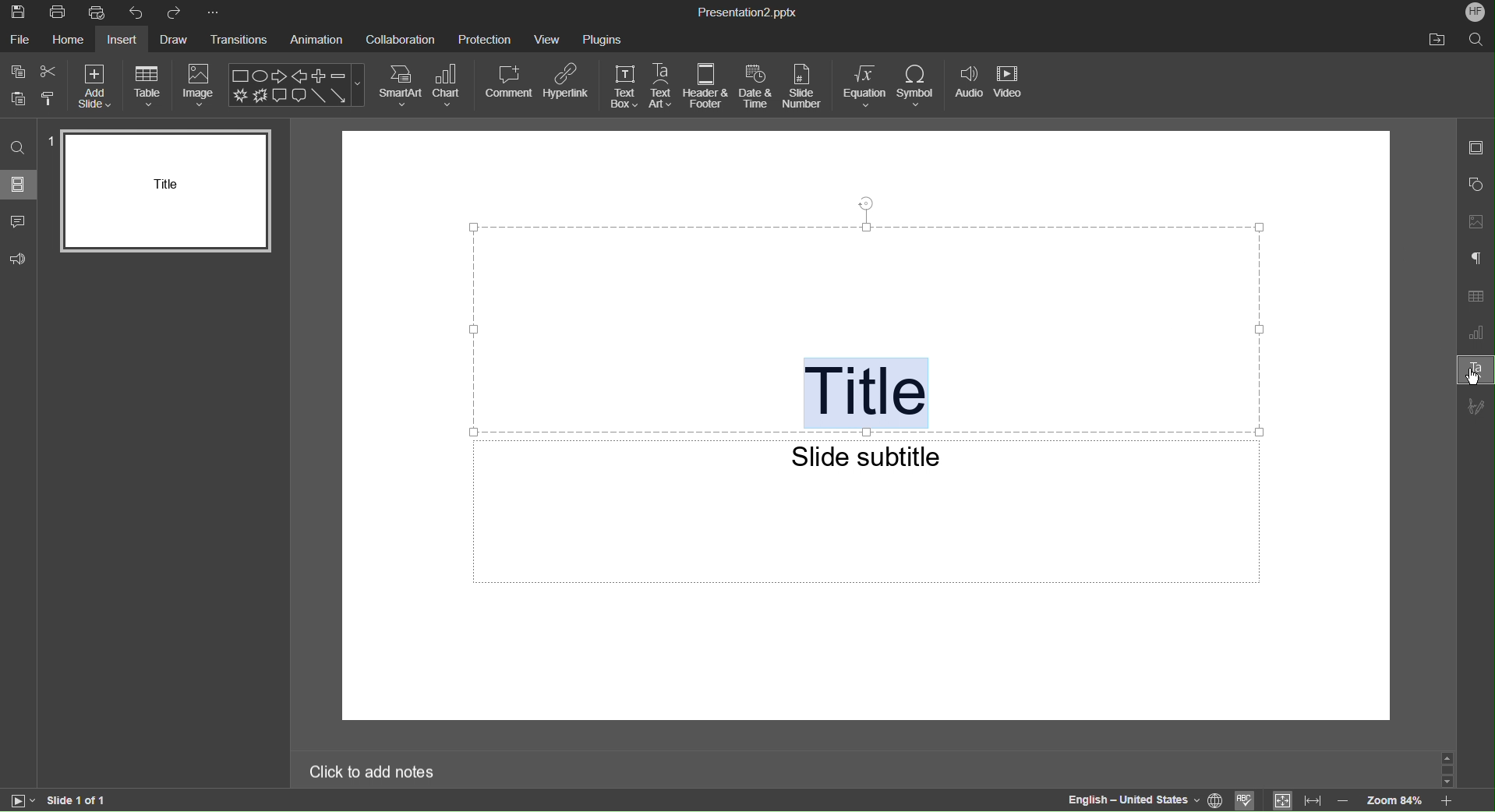 This screenshot has height=812, width=1495. What do you see at coordinates (870, 393) in the screenshot?
I see `Title Selecte` at bounding box center [870, 393].